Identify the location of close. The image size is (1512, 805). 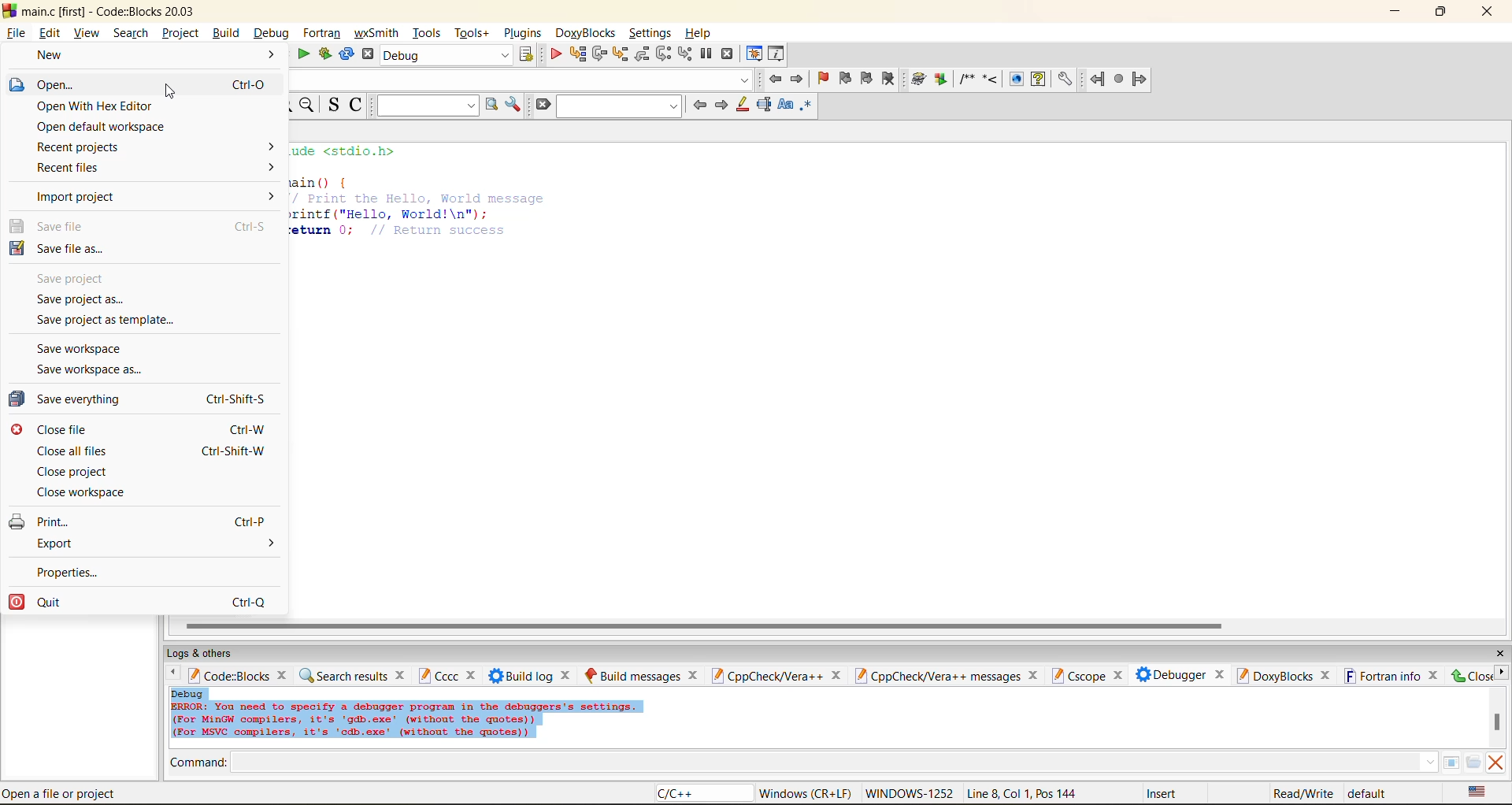
(1036, 675).